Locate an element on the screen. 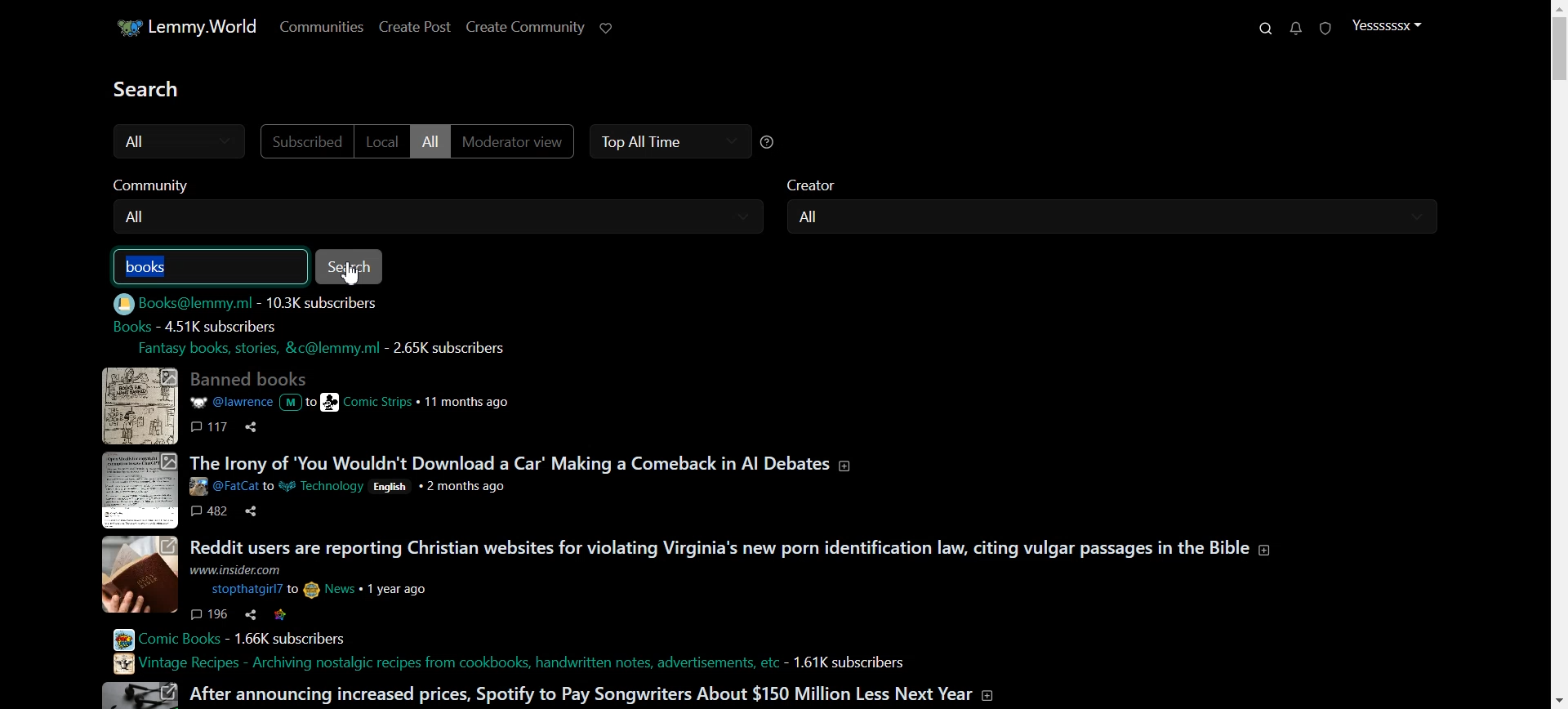  post is located at coordinates (739, 544).